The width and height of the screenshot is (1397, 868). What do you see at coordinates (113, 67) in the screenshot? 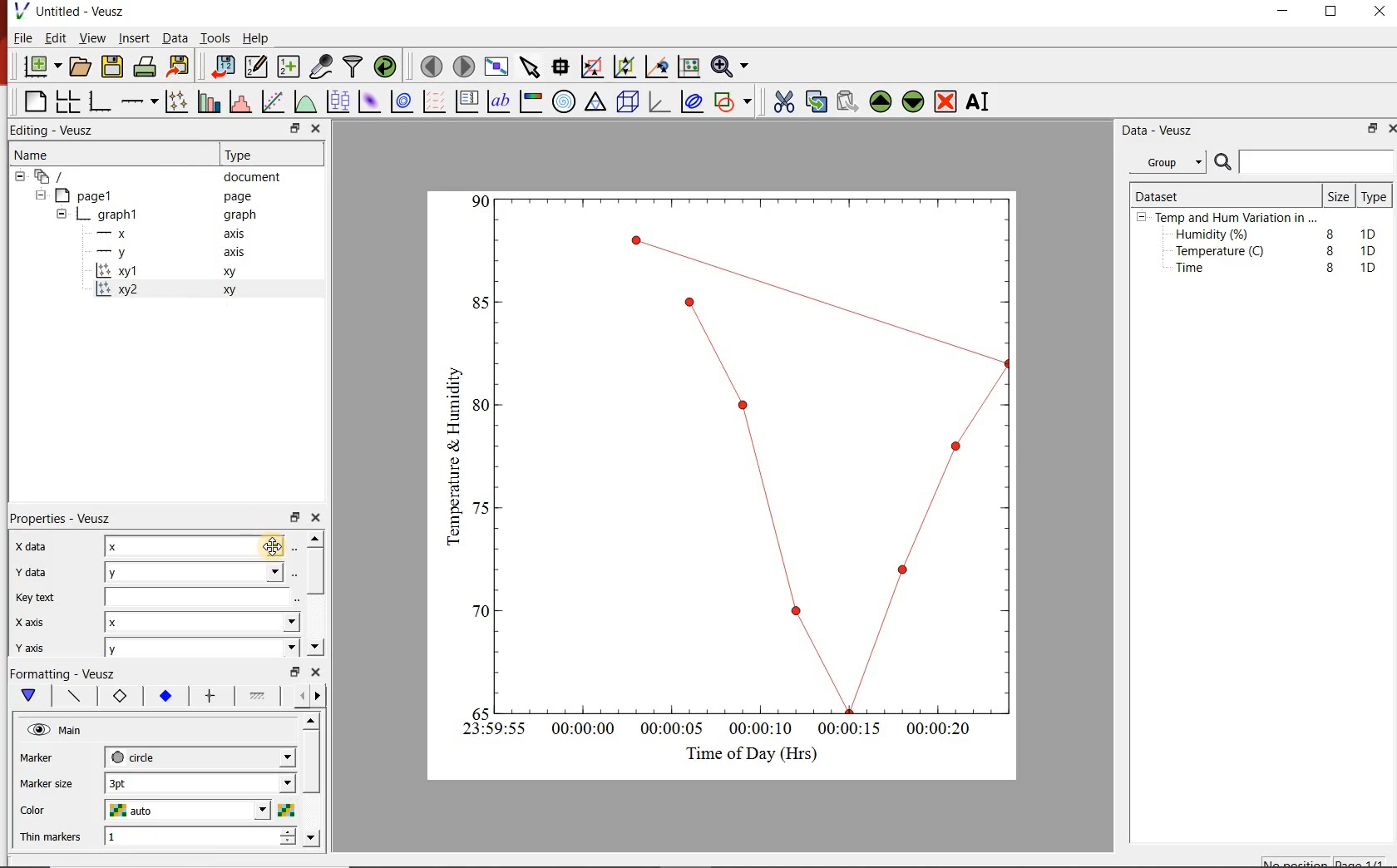
I see `save the document` at bounding box center [113, 67].